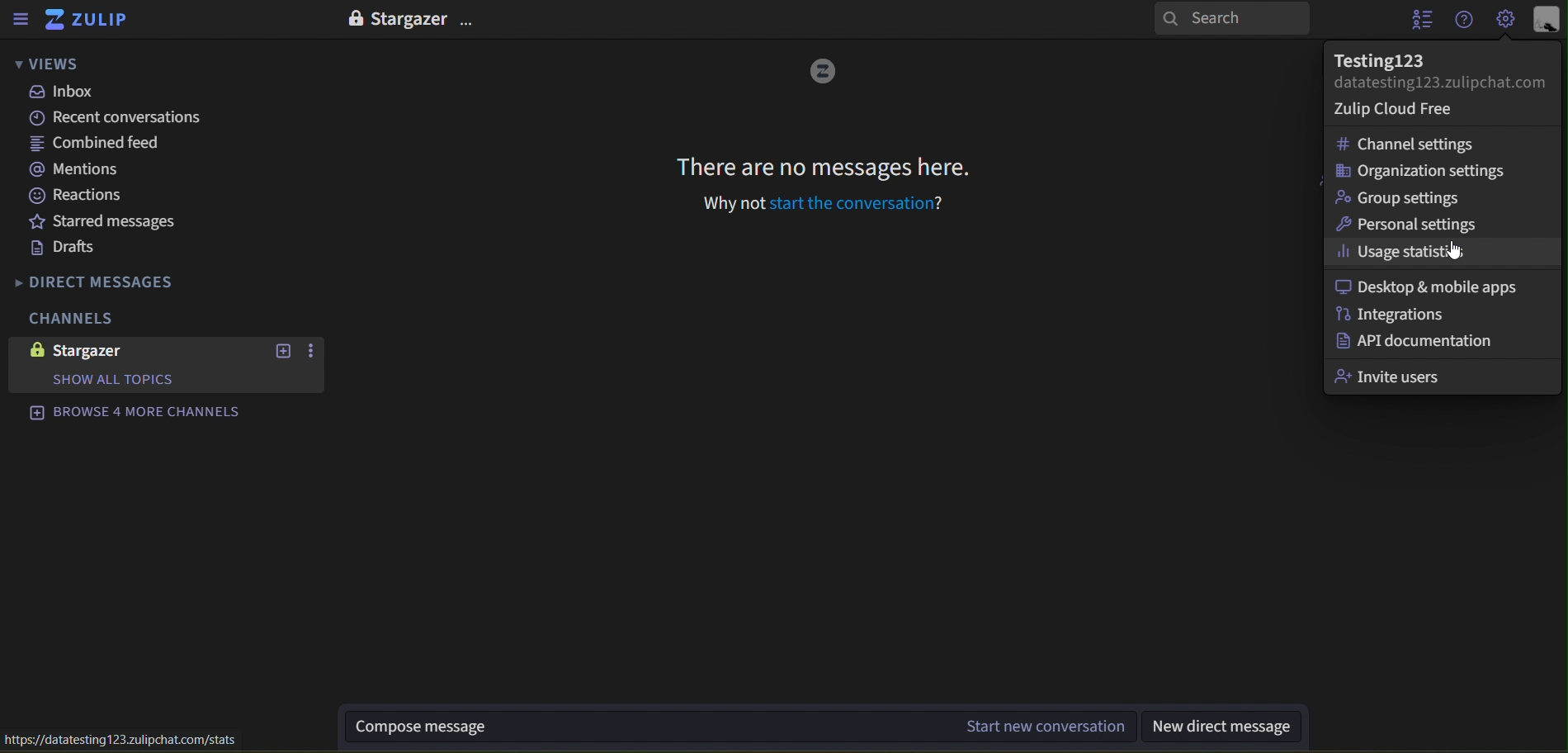 Image resolution: width=1568 pixels, height=753 pixels. I want to click on drafts, so click(67, 250).